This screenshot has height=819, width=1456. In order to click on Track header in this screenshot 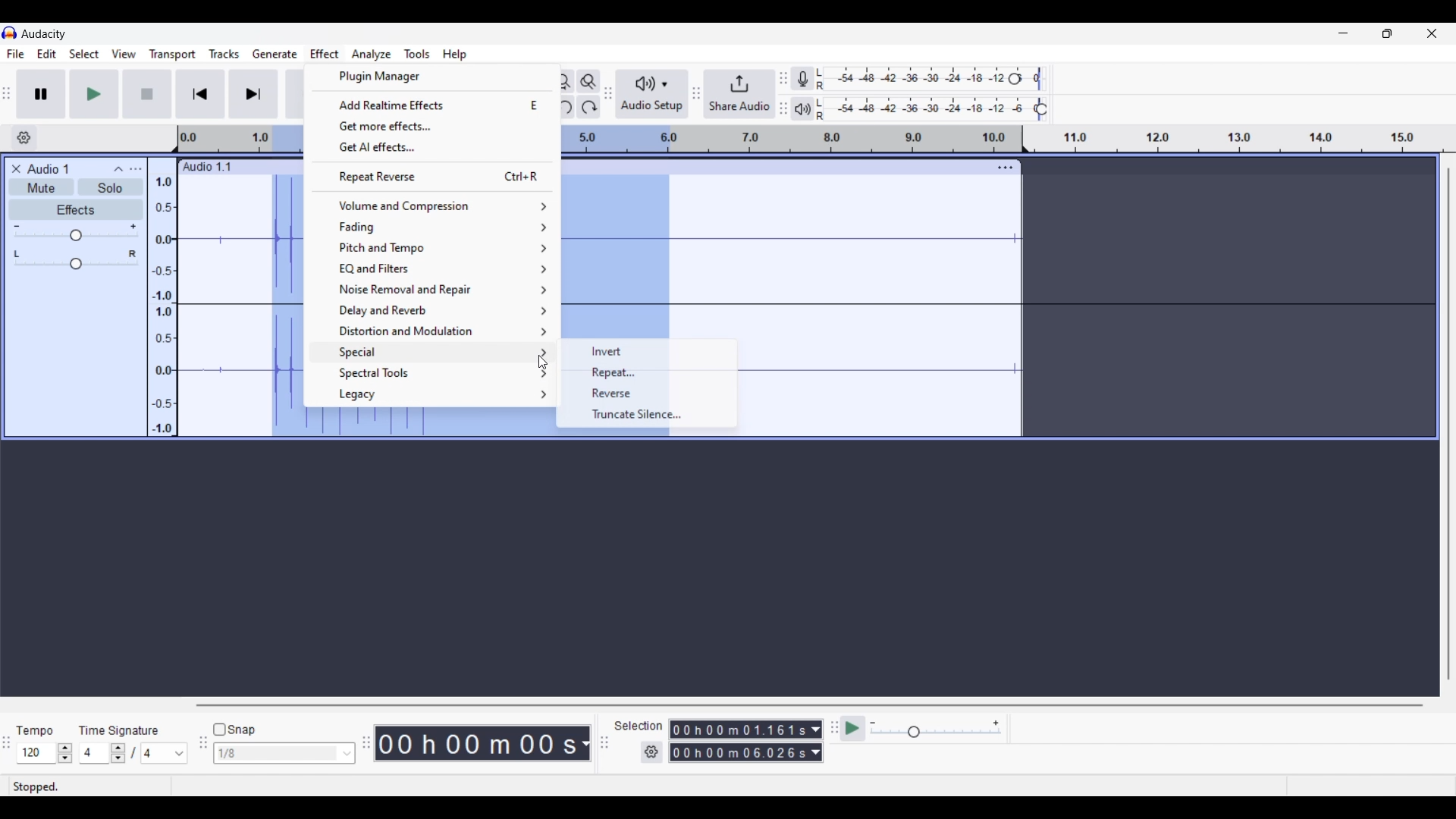, I will do `click(1025, 140)`.